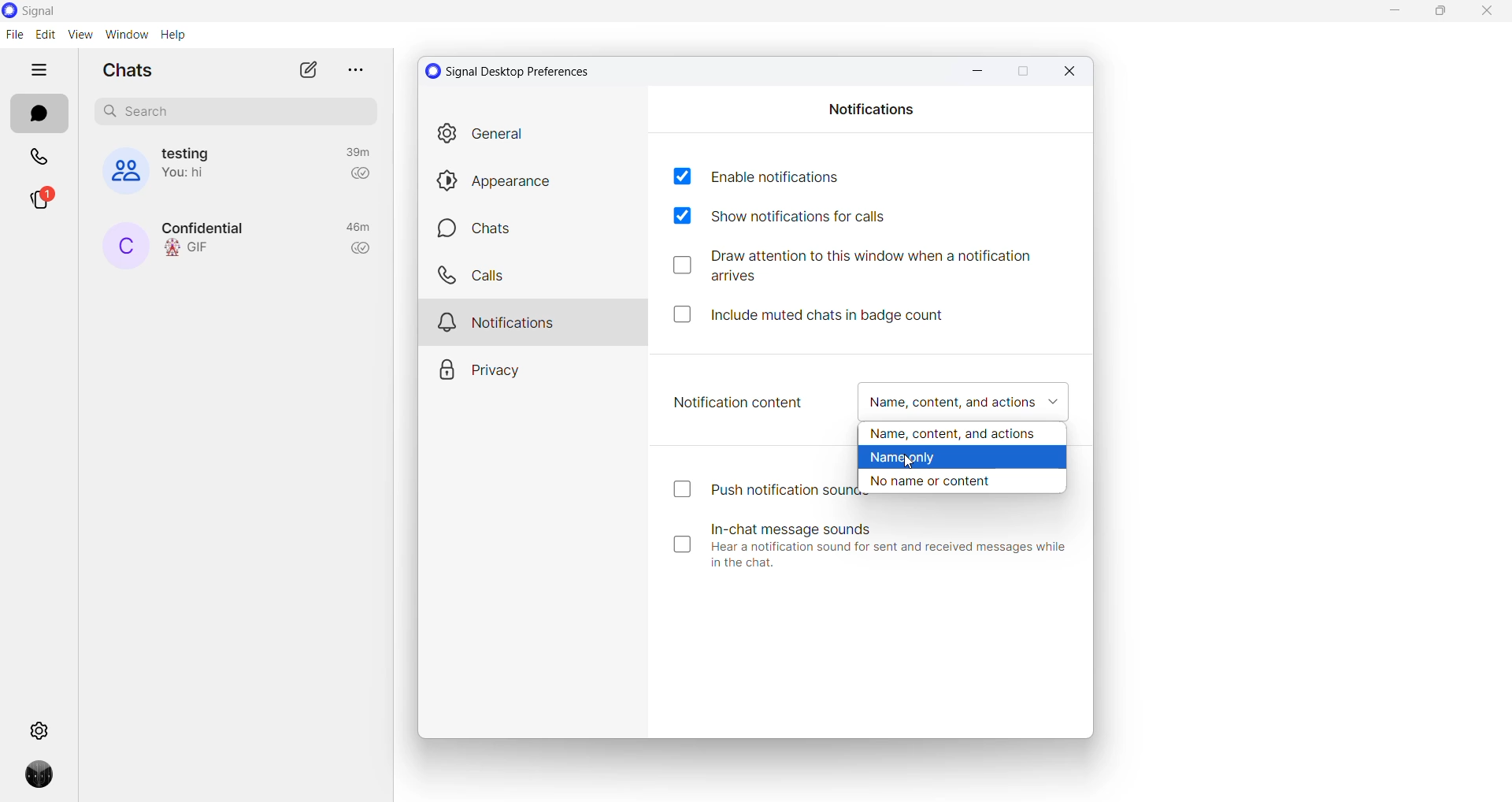 Image resolution: width=1512 pixels, height=802 pixels. Describe the element at coordinates (306, 71) in the screenshot. I see `new chat` at that location.